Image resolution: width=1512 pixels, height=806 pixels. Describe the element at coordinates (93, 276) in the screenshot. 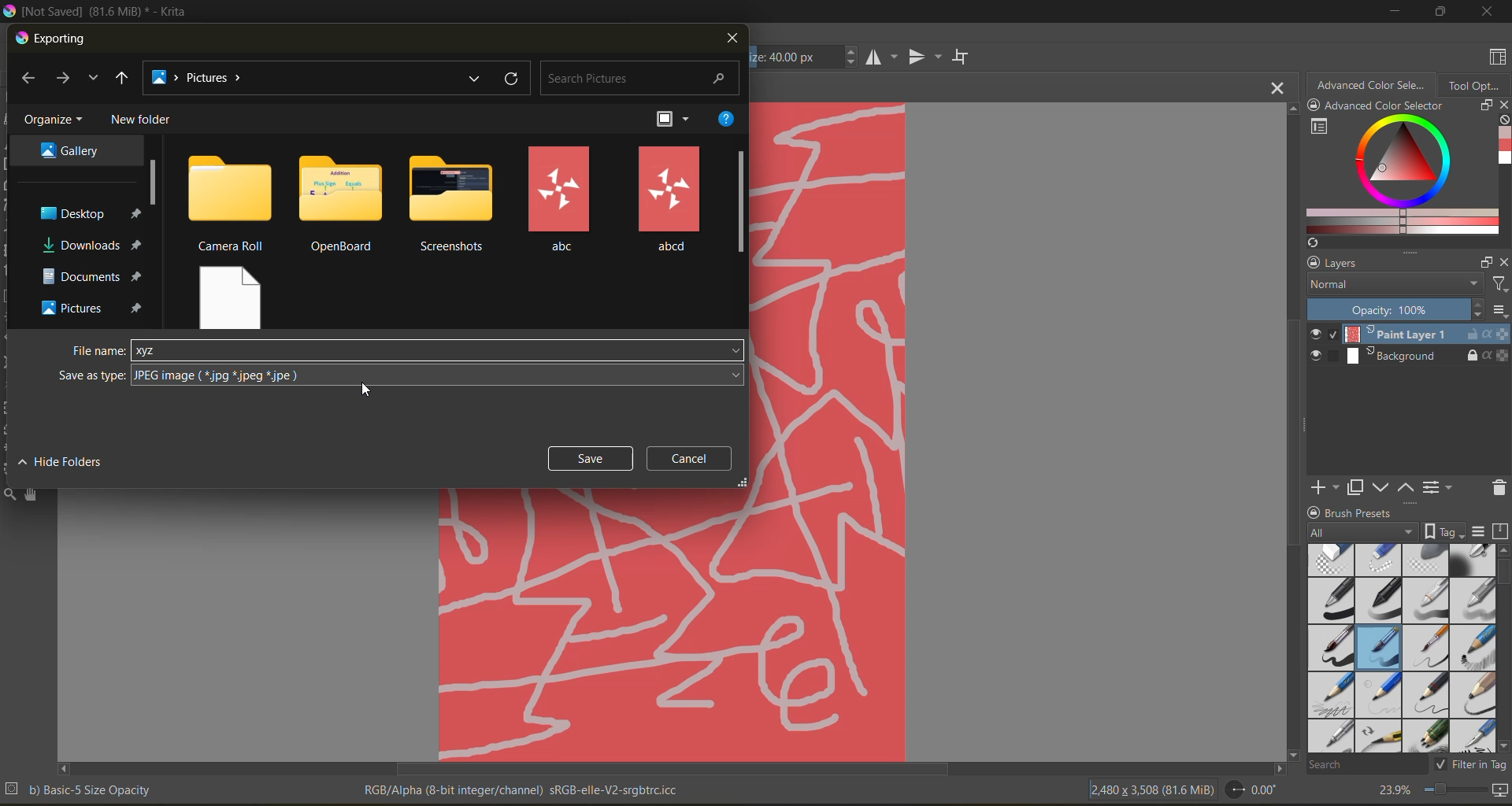

I see `folder destination` at that location.